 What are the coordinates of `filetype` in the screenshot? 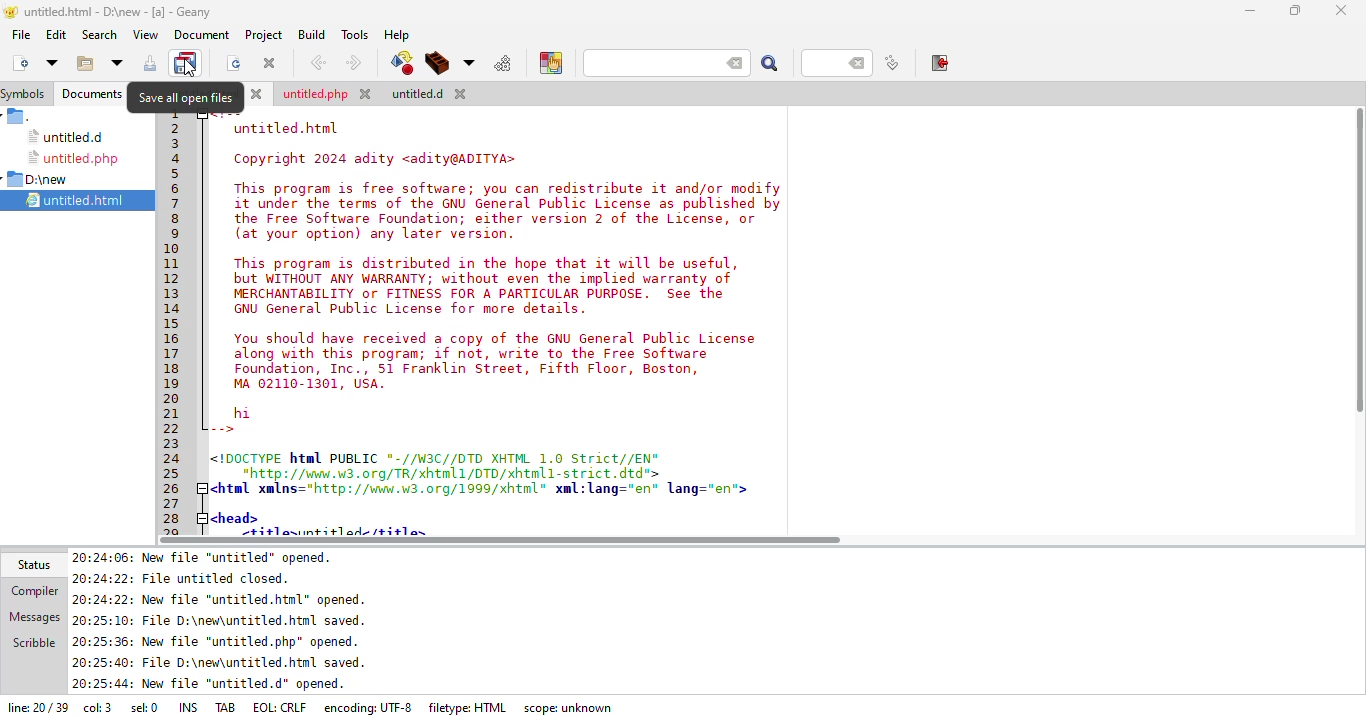 It's located at (473, 707).